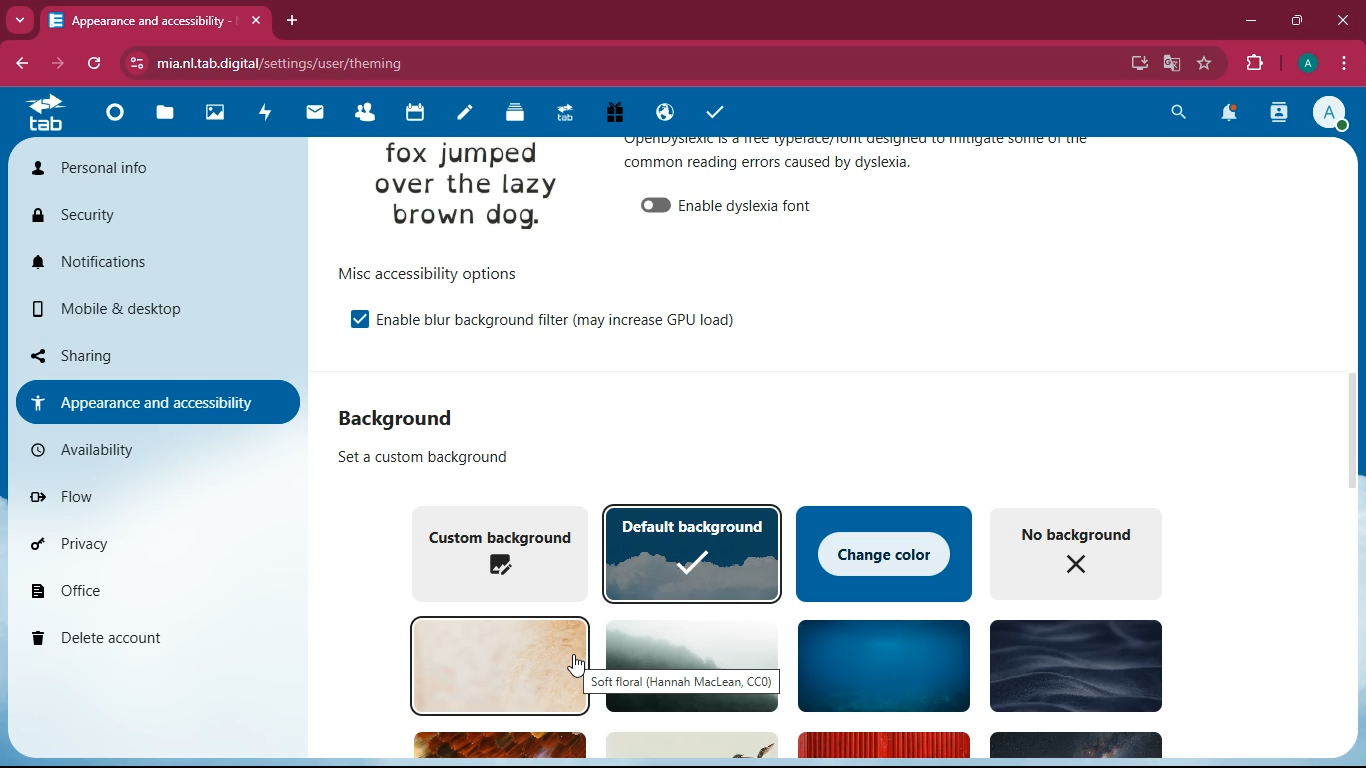 The width and height of the screenshot is (1366, 768). What do you see at coordinates (17, 65) in the screenshot?
I see `back` at bounding box center [17, 65].